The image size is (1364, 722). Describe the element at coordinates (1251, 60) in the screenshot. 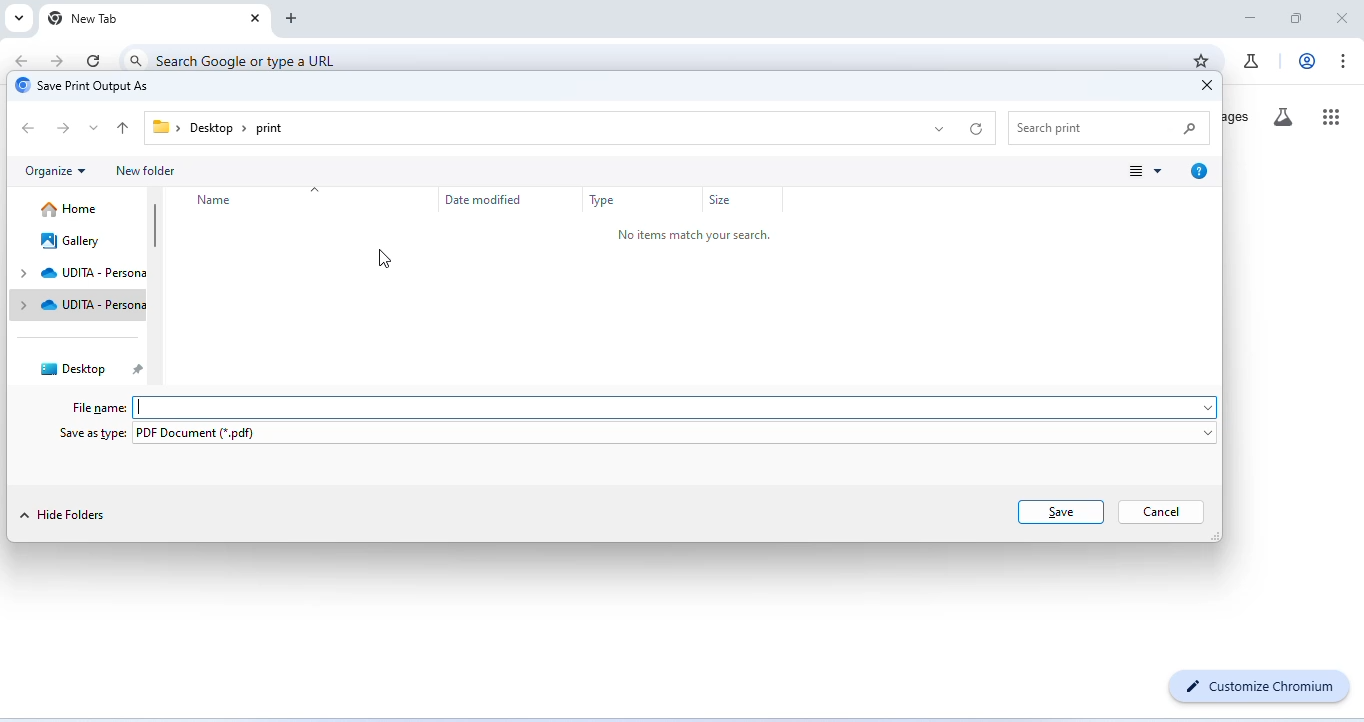

I see `chrome labs` at that location.